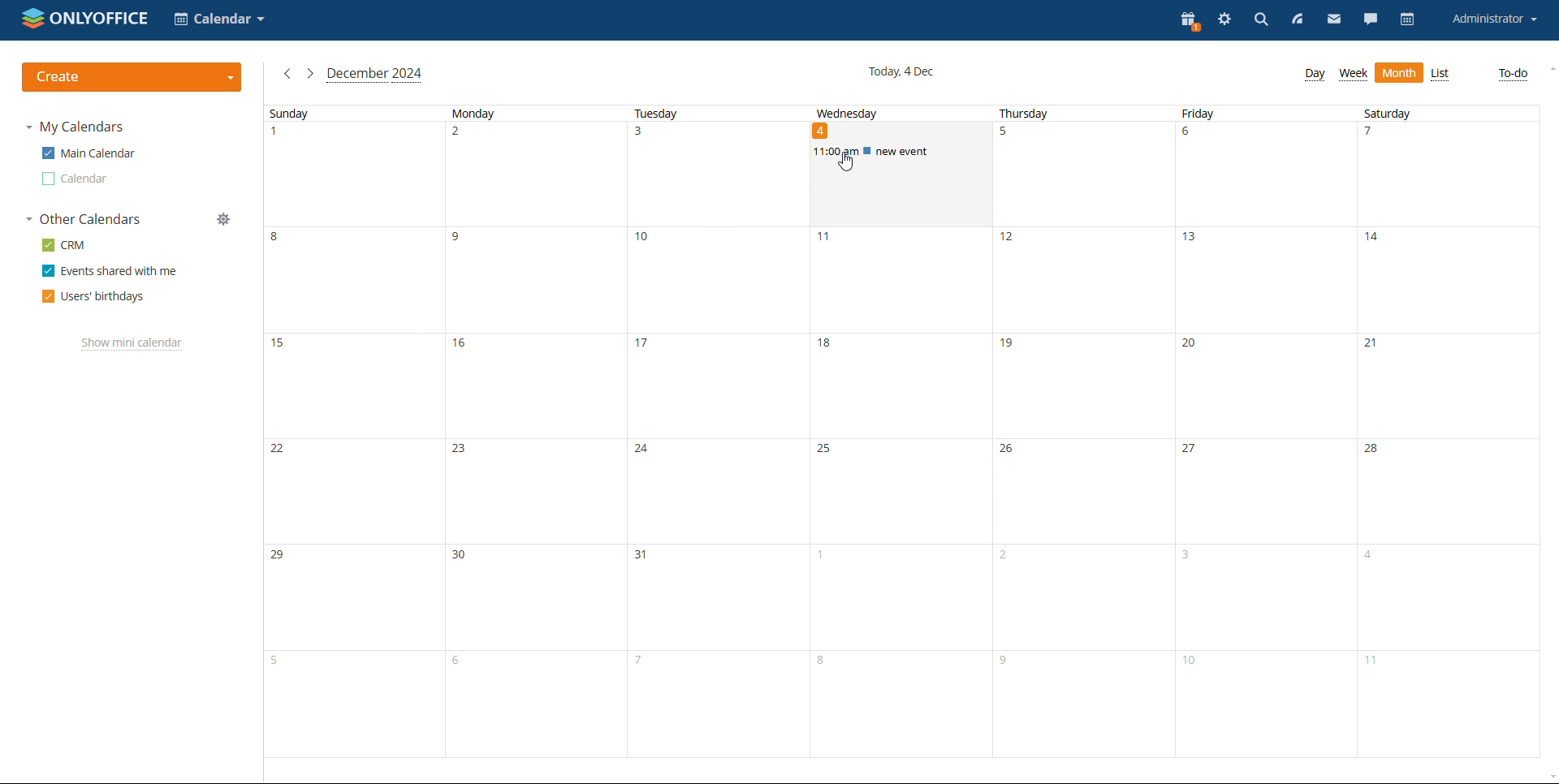 This screenshot has height=784, width=1559. Describe the element at coordinates (218, 19) in the screenshot. I see `select application` at that location.